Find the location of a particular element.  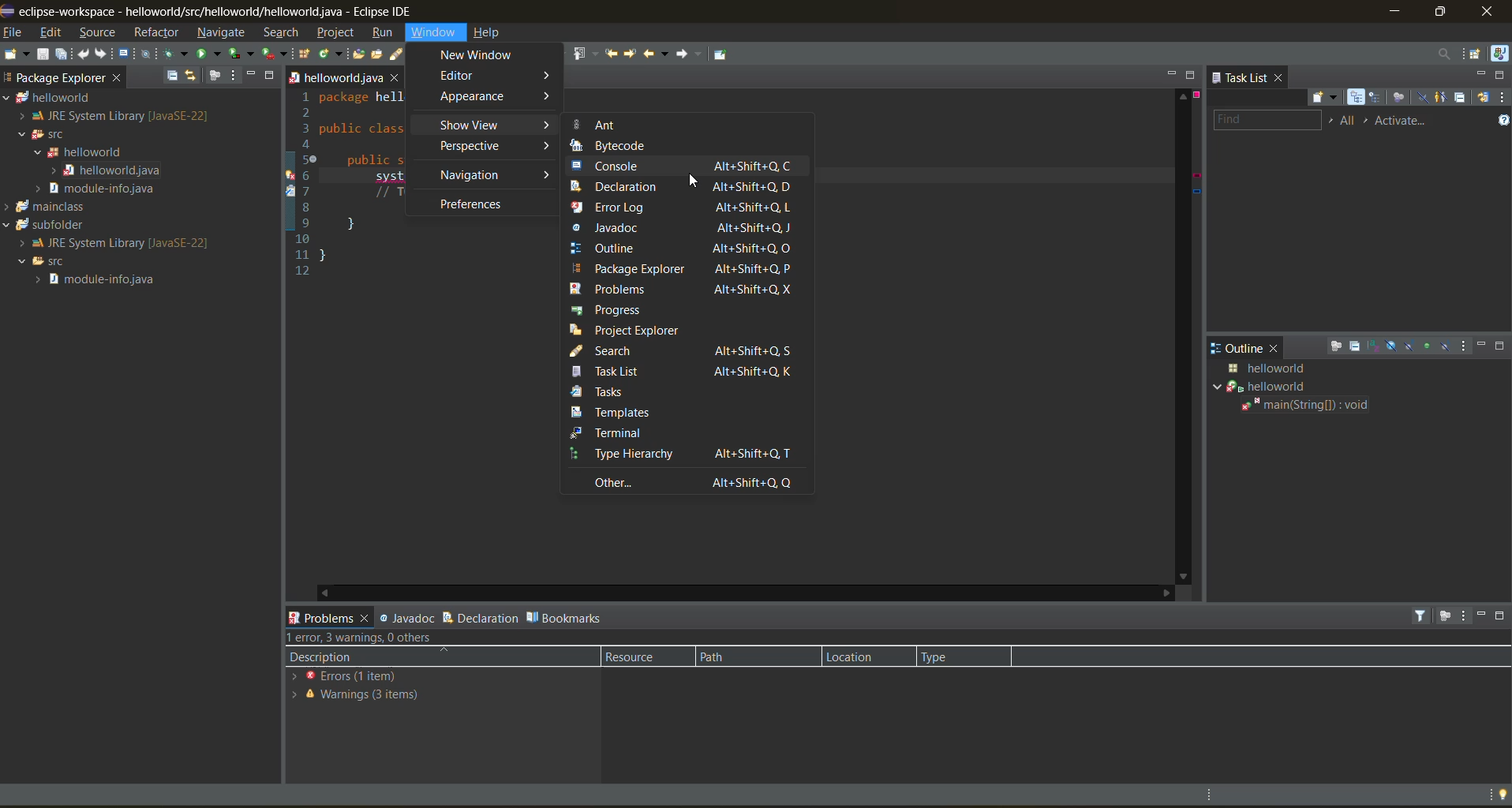

sort is located at coordinates (1378, 347).